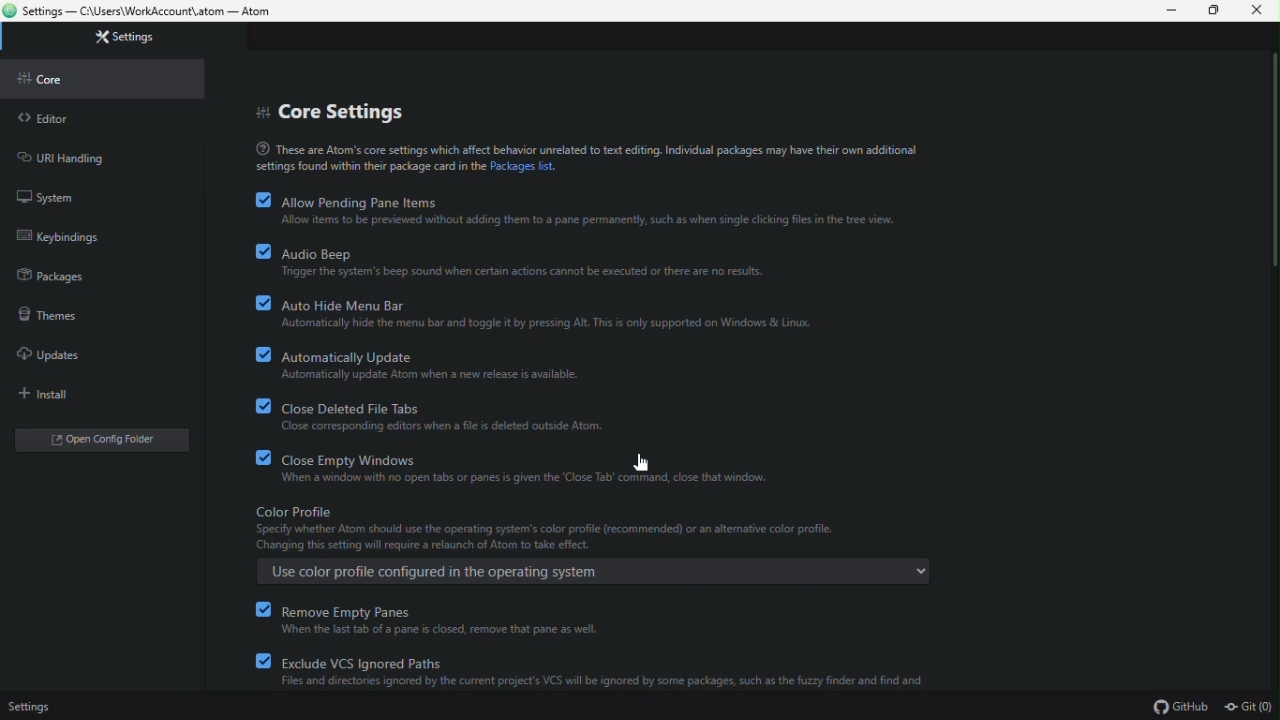 This screenshot has width=1280, height=720. What do you see at coordinates (107, 442) in the screenshot?
I see `Open configure editor` at bounding box center [107, 442].